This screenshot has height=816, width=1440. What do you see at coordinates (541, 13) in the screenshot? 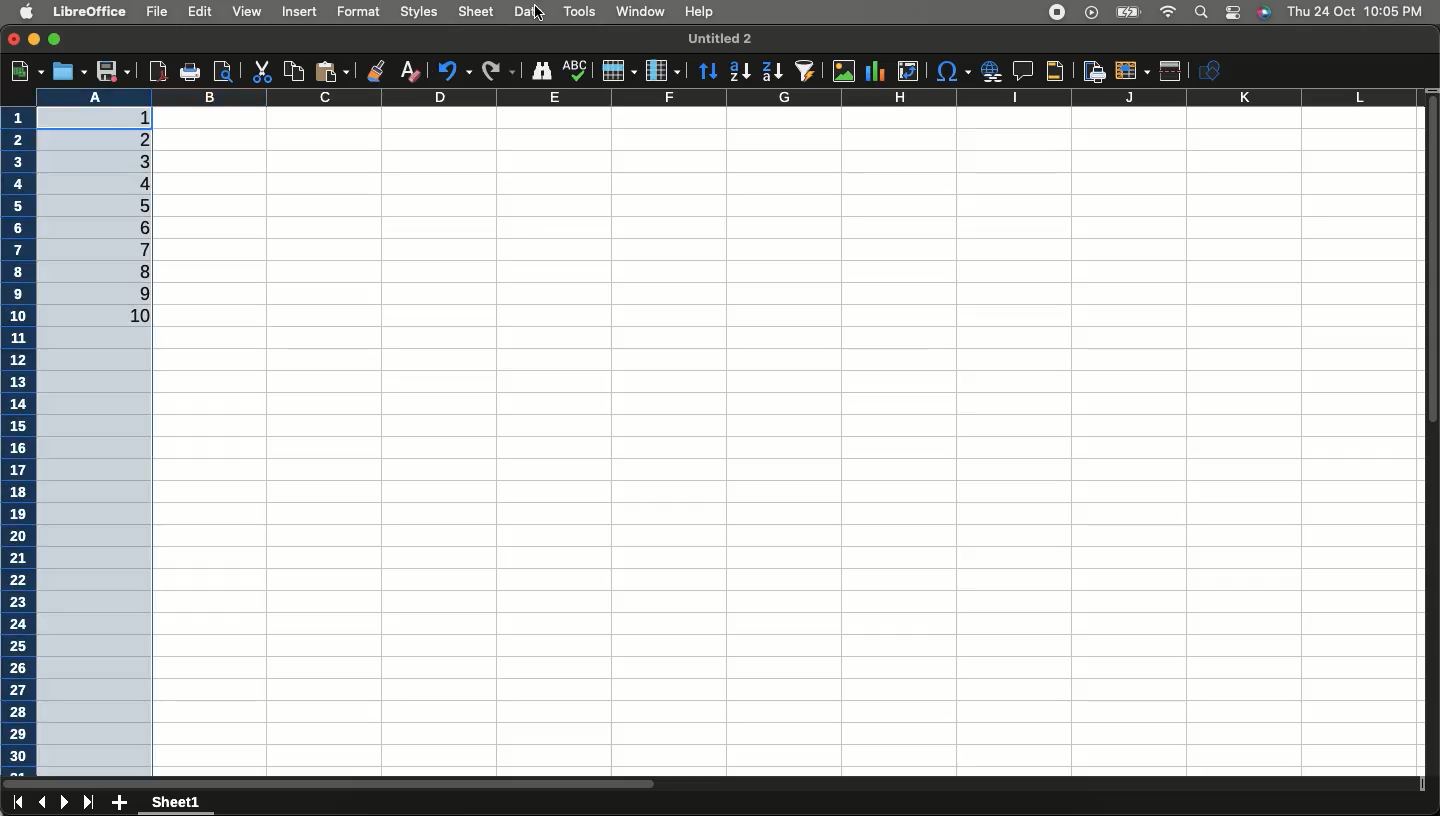
I see `cursor` at bounding box center [541, 13].